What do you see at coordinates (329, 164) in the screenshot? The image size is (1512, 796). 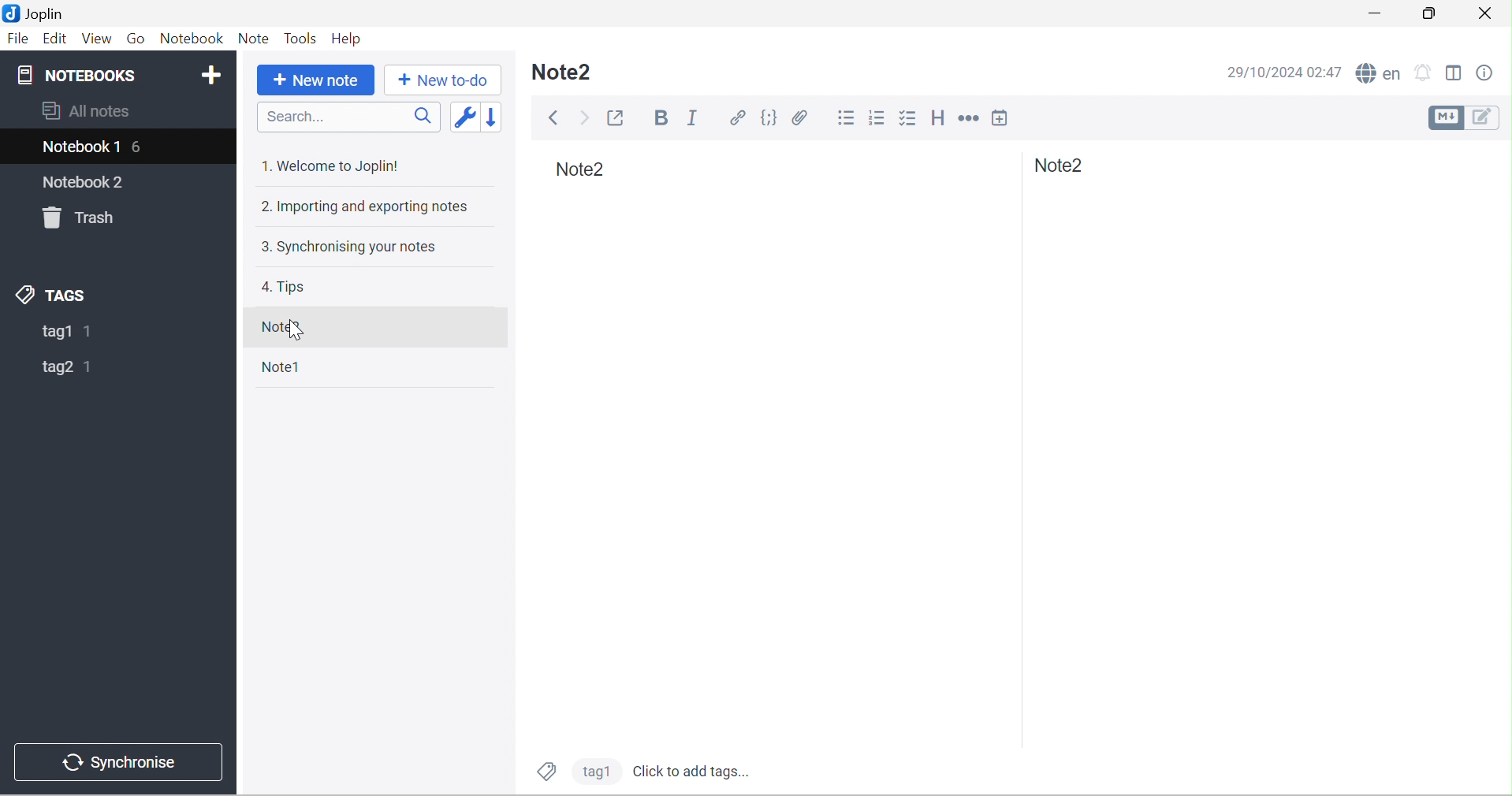 I see `1. Welcome to Joplin!` at bounding box center [329, 164].